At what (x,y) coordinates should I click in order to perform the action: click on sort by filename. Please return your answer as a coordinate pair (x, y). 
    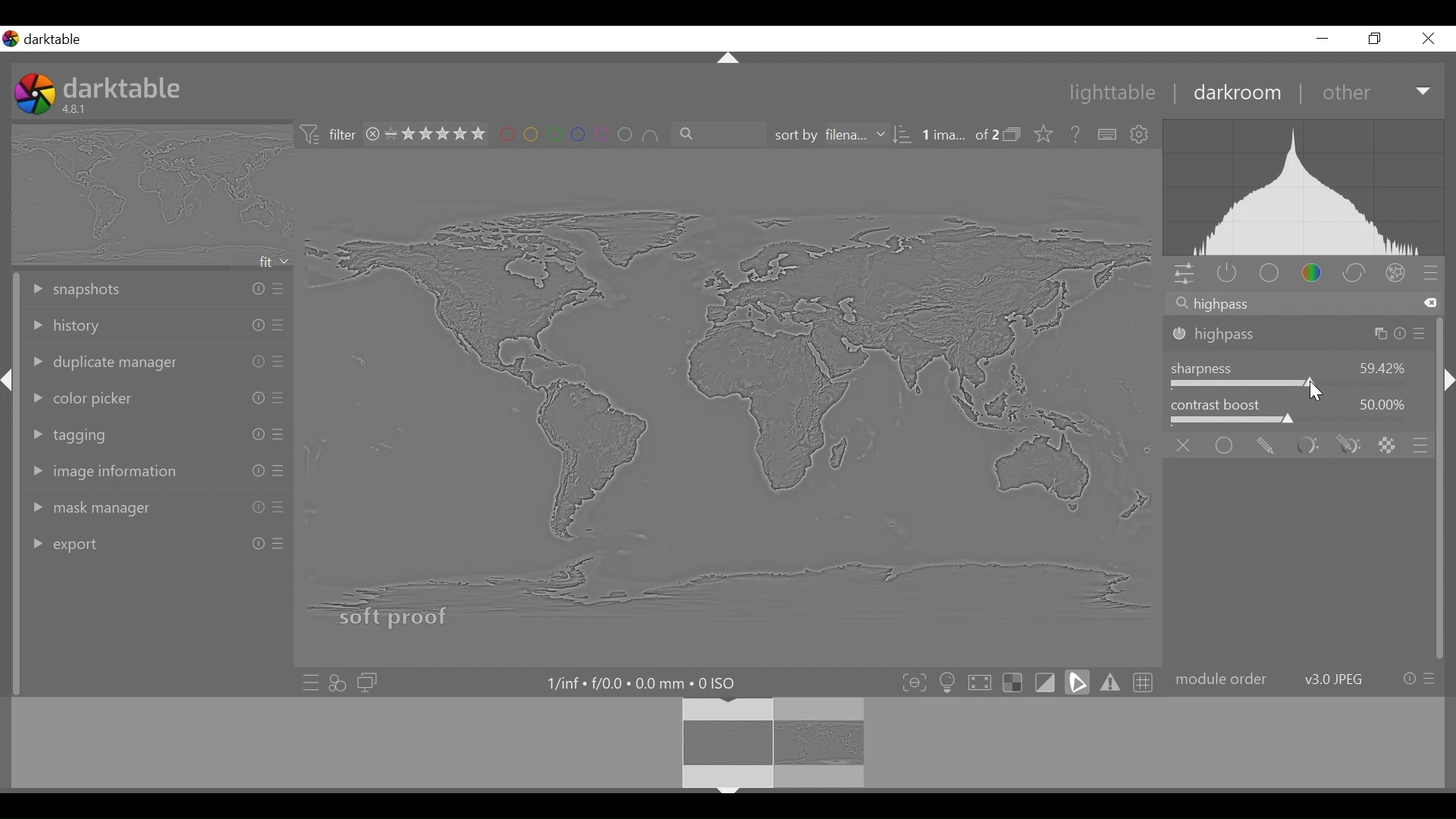
    Looking at the image, I should click on (839, 133).